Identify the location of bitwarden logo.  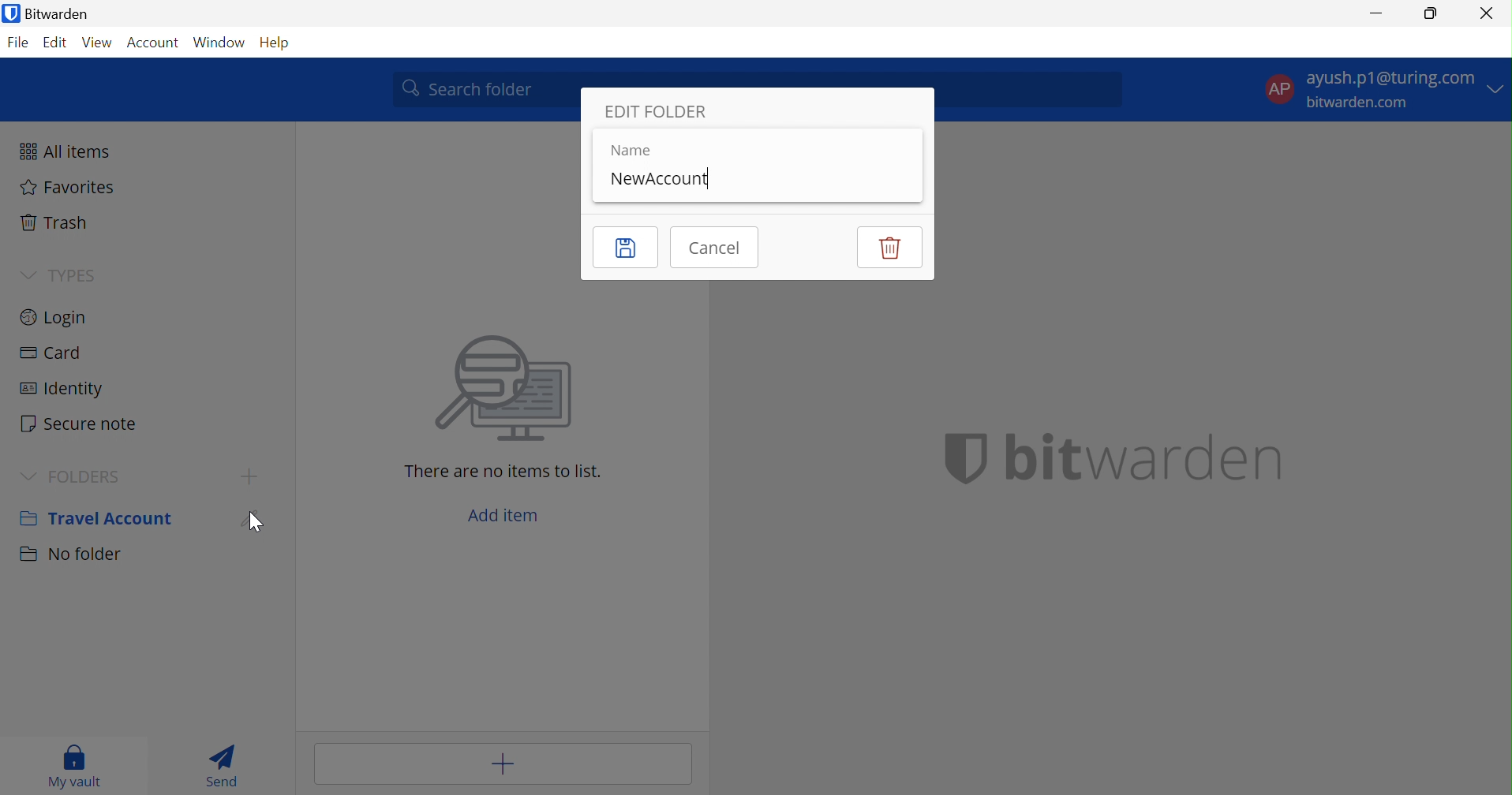
(955, 457).